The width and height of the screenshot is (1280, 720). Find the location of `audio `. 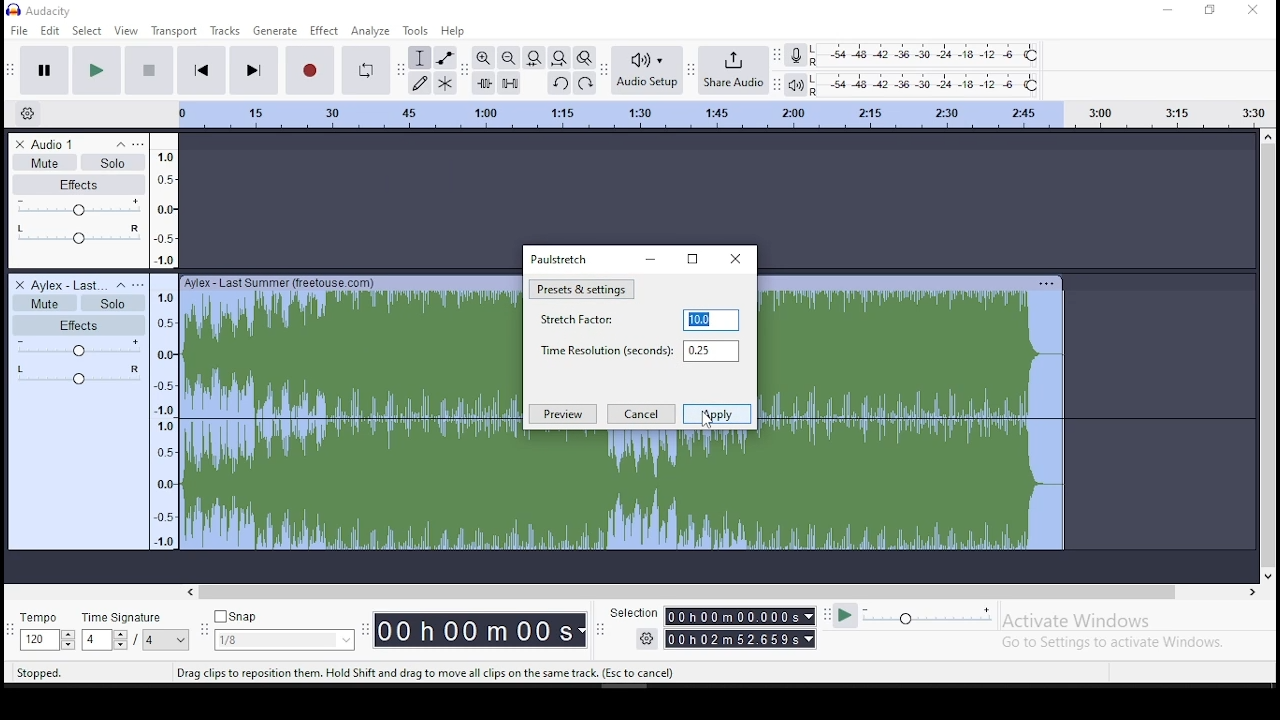

audio  is located at coordinates (65, 284).